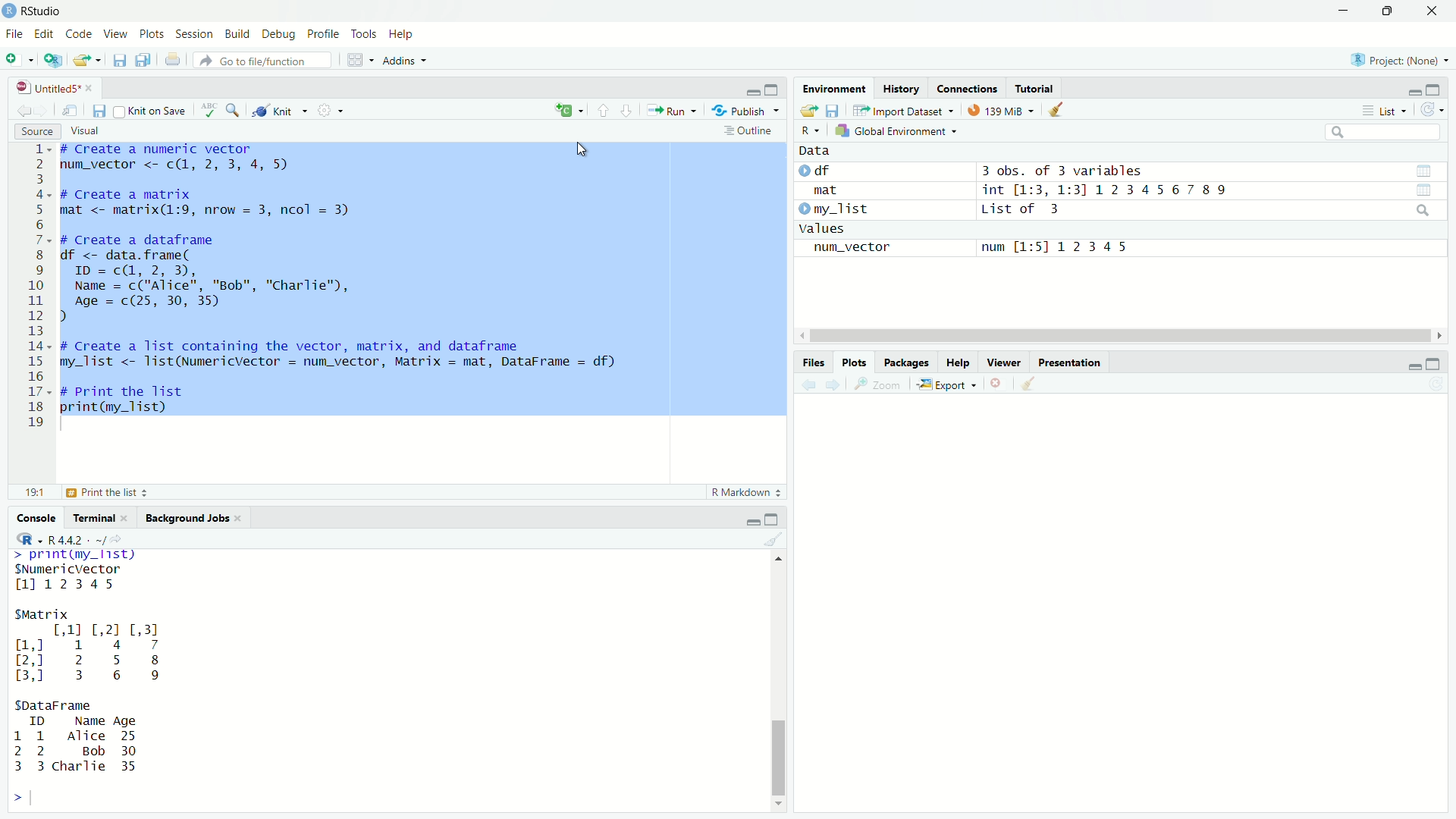 This screenshot has width=1456, height=819. Describe the element at coordinates (1409, 368) in the screenshot. I see `minimise` at that location.